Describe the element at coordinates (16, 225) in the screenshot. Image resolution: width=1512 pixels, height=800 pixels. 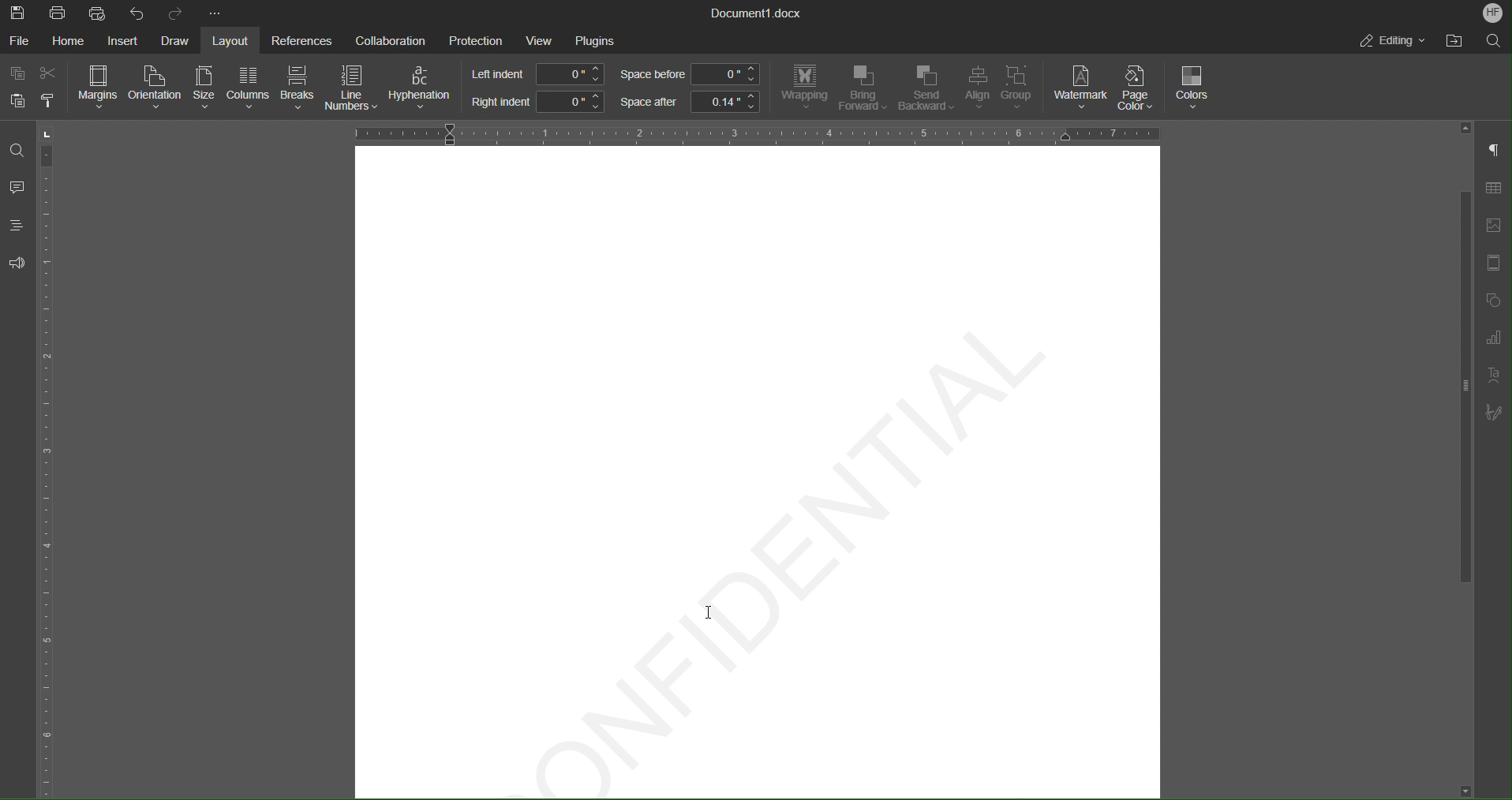
I see `Headings` at that location.